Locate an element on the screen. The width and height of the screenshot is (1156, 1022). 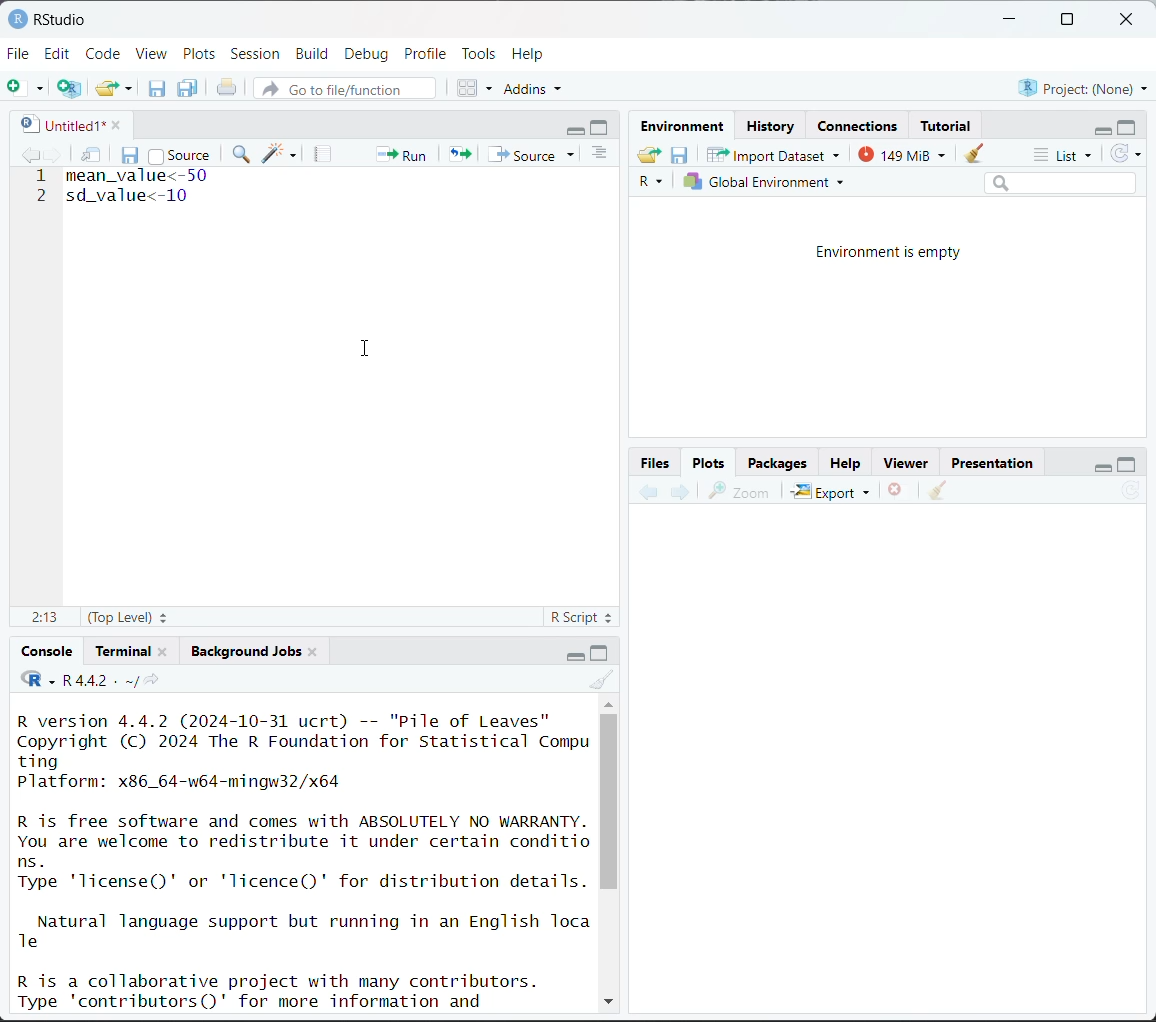
minimize is located at coordinates (571, 654).